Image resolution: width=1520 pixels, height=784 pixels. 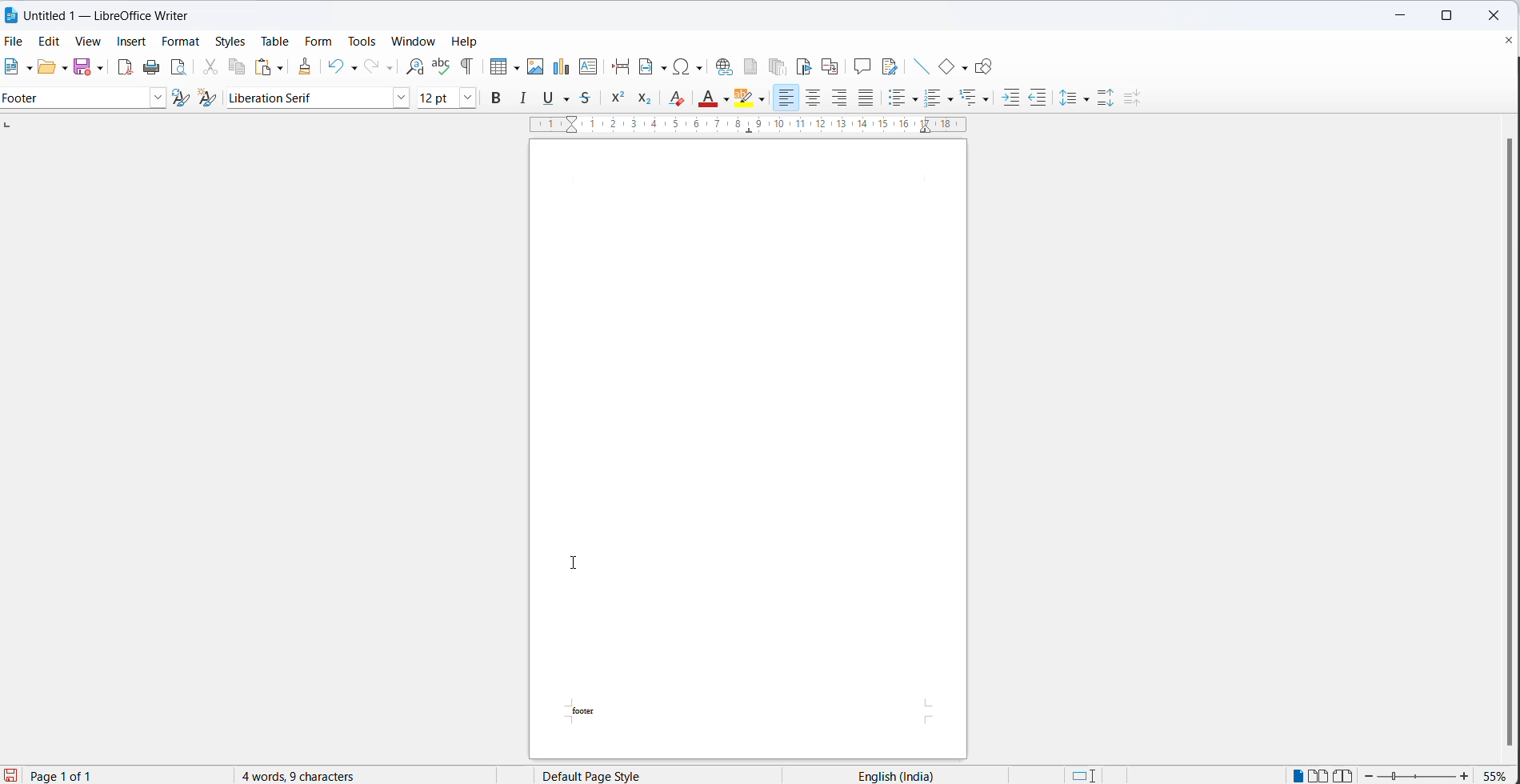 What do you see at coordinates (951, 99) in the screenshot?
I see `toggle ordered list ` at bounding box center [951, 99].